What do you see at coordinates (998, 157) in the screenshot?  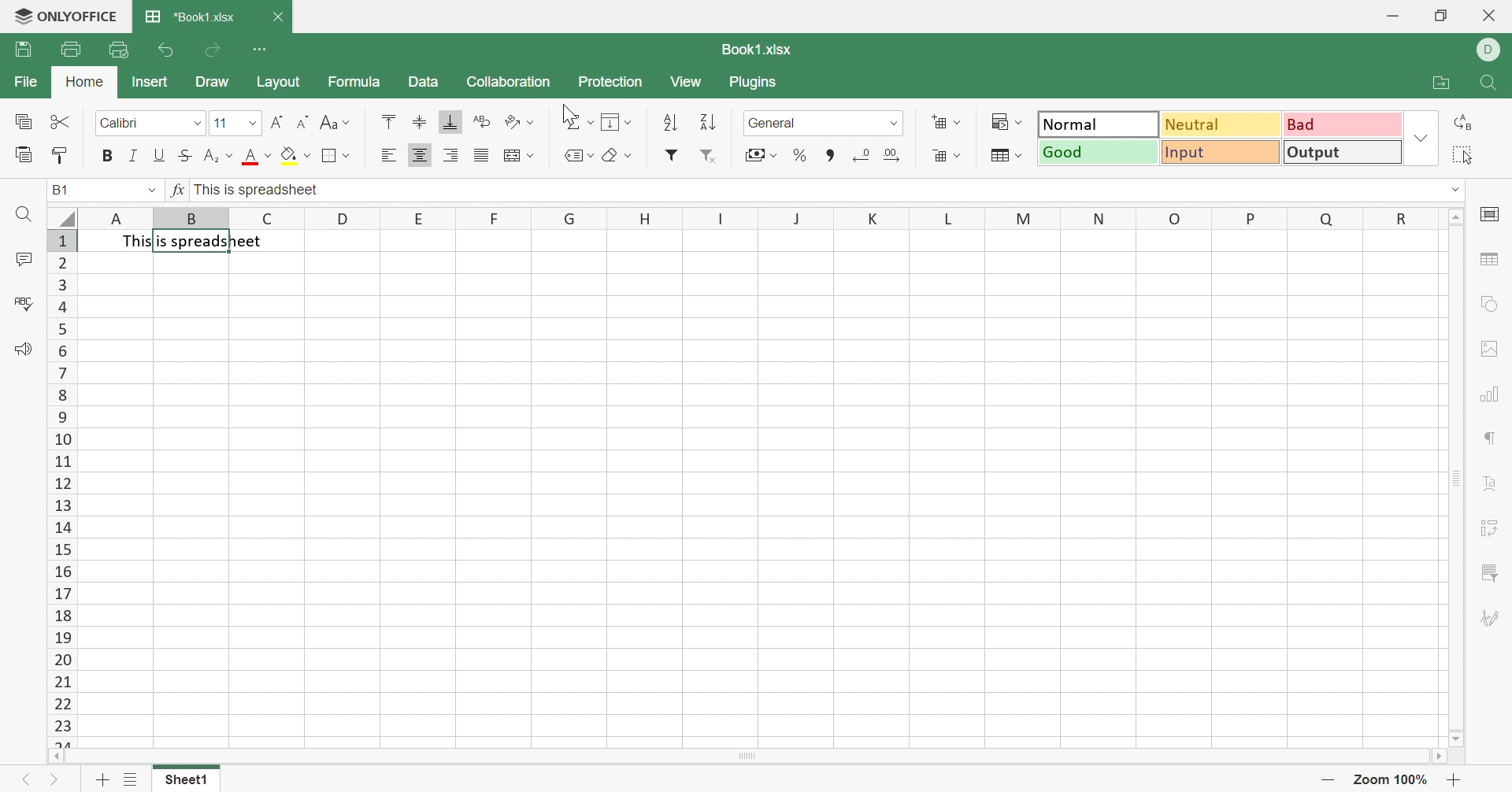 I see `Format as Table template` at bounding box center [998, 157].